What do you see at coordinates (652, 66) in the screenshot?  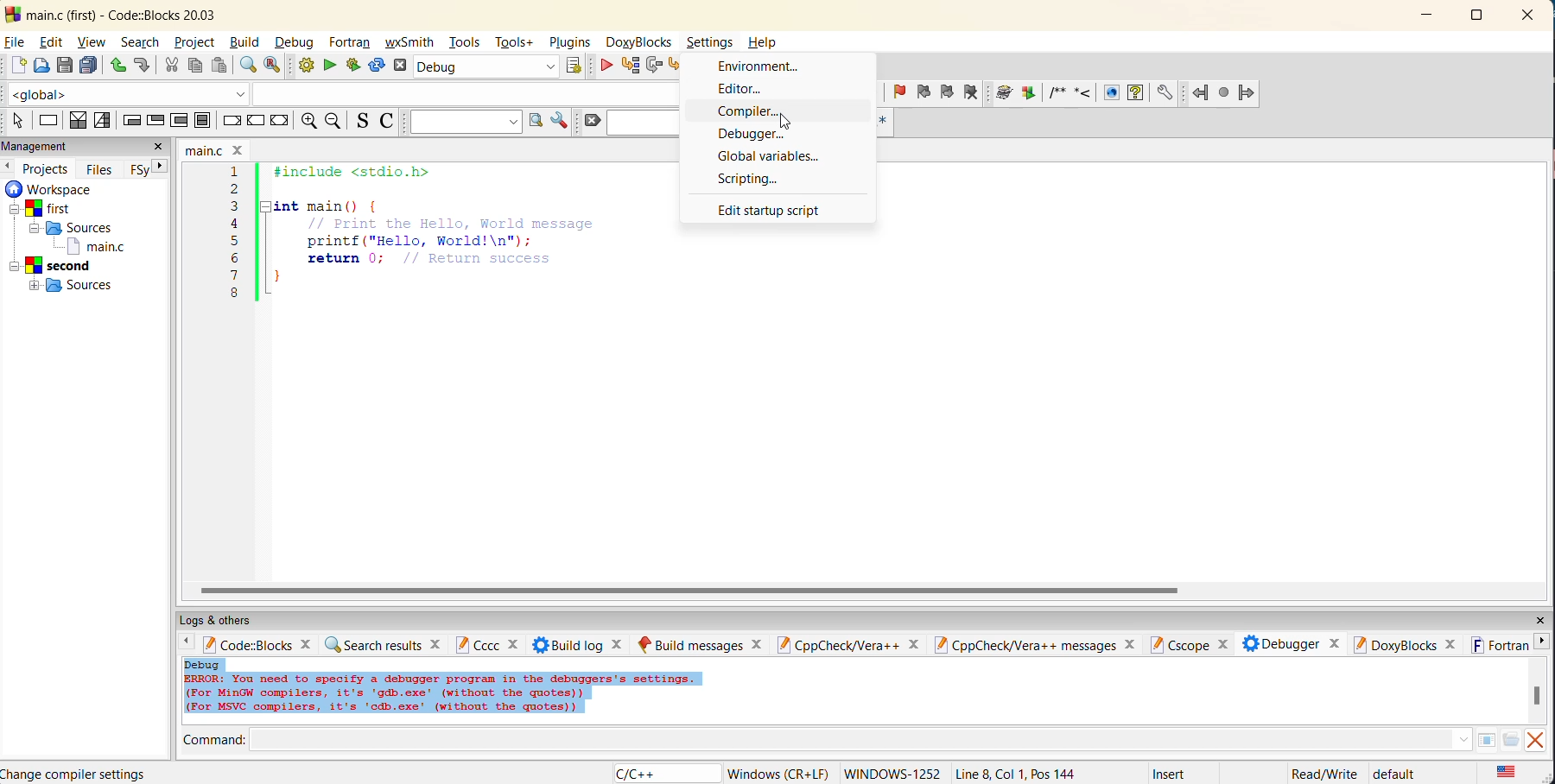 I see `next line` at bounding box center [652, 66].